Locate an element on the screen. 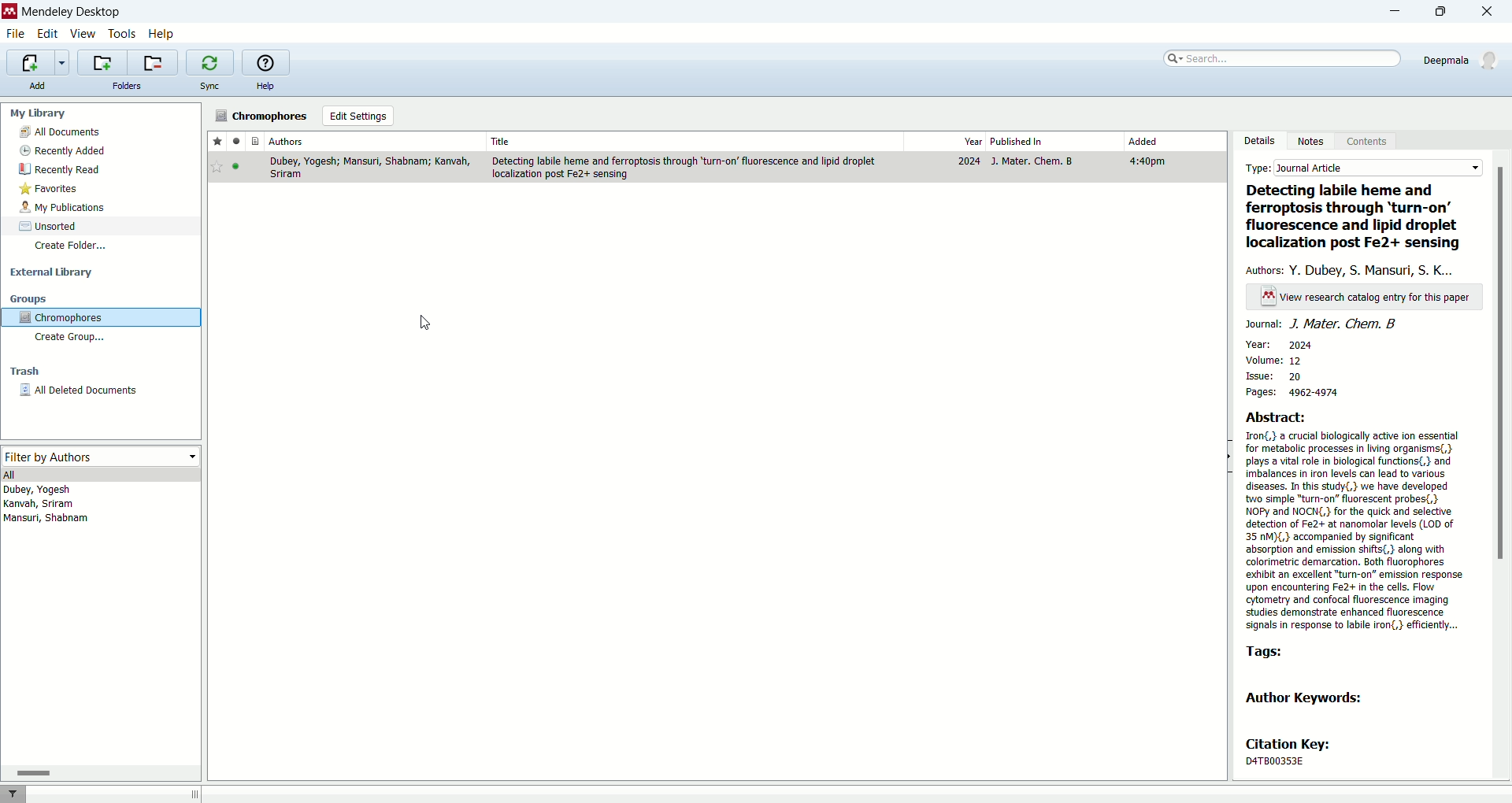 Image resolution: width=1512 pixels, height=803 pixels. Il 1 of 1 documents selected is located at coordinates (309, 794).